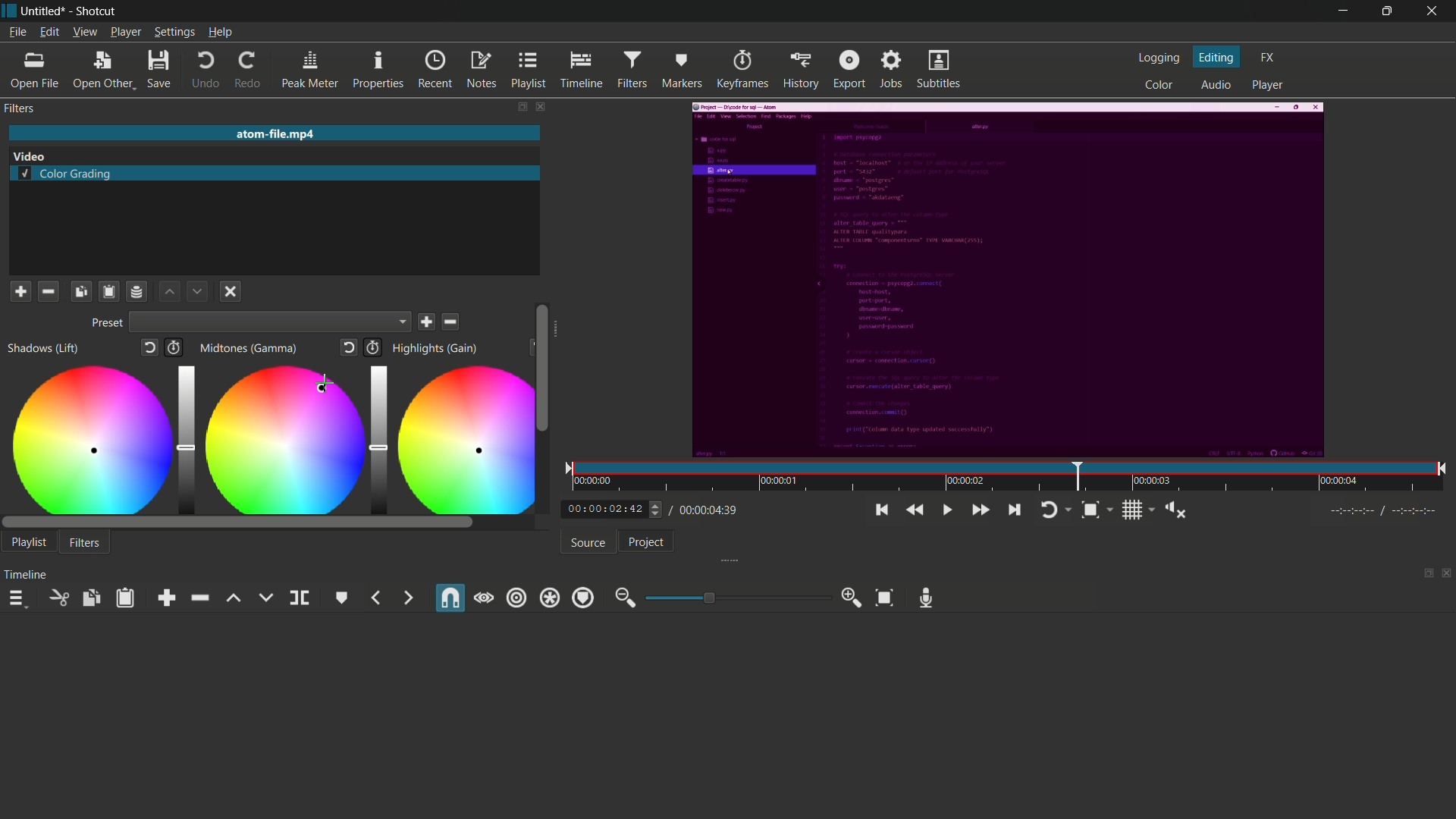 This screenshot has height=819, width=1456. I want to click on Video, so click(36, 155).